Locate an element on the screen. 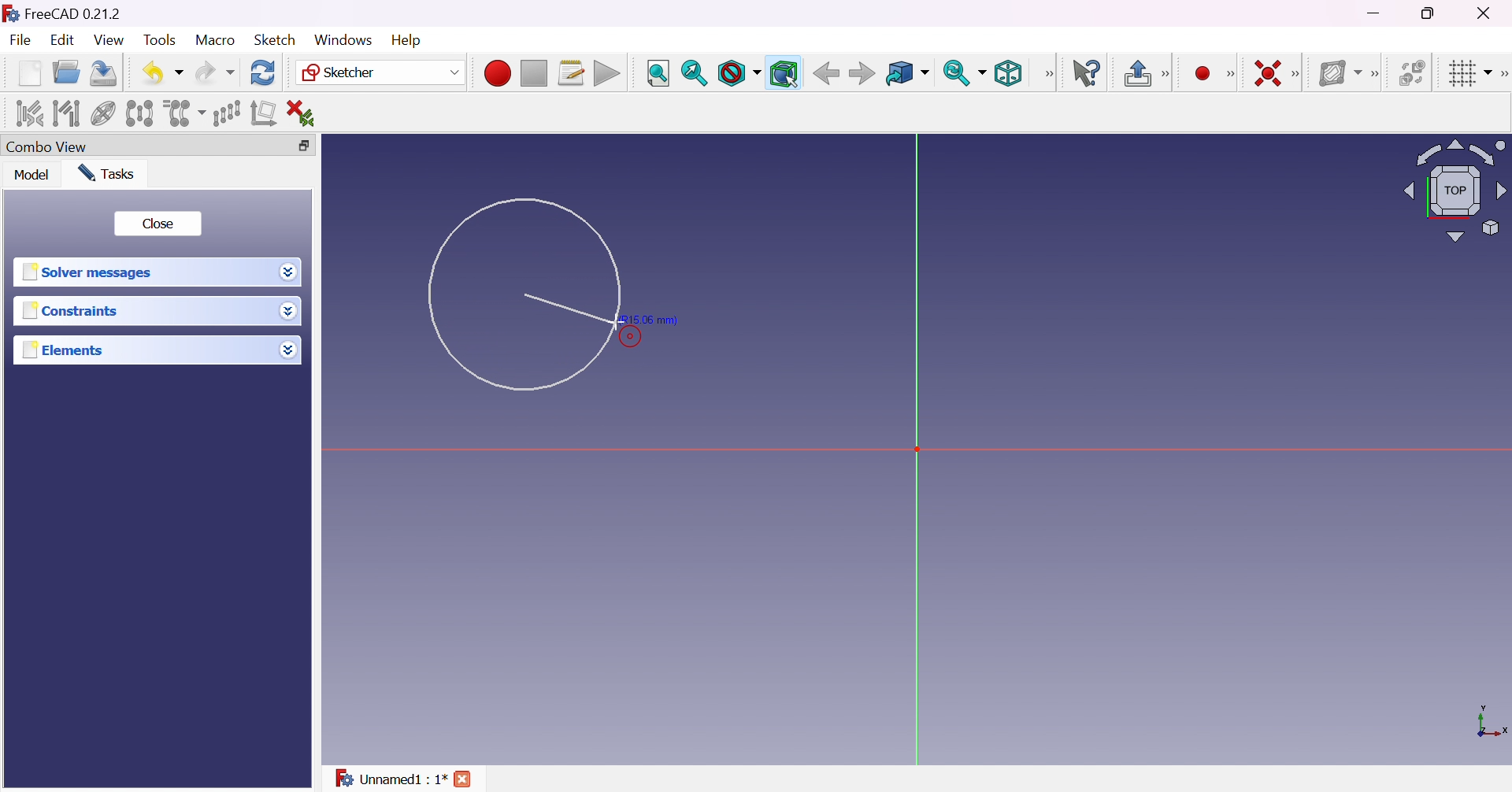 The width and height of the screenshot is (1512, 792). Viewing angle is located at coordinates (1452, 192).